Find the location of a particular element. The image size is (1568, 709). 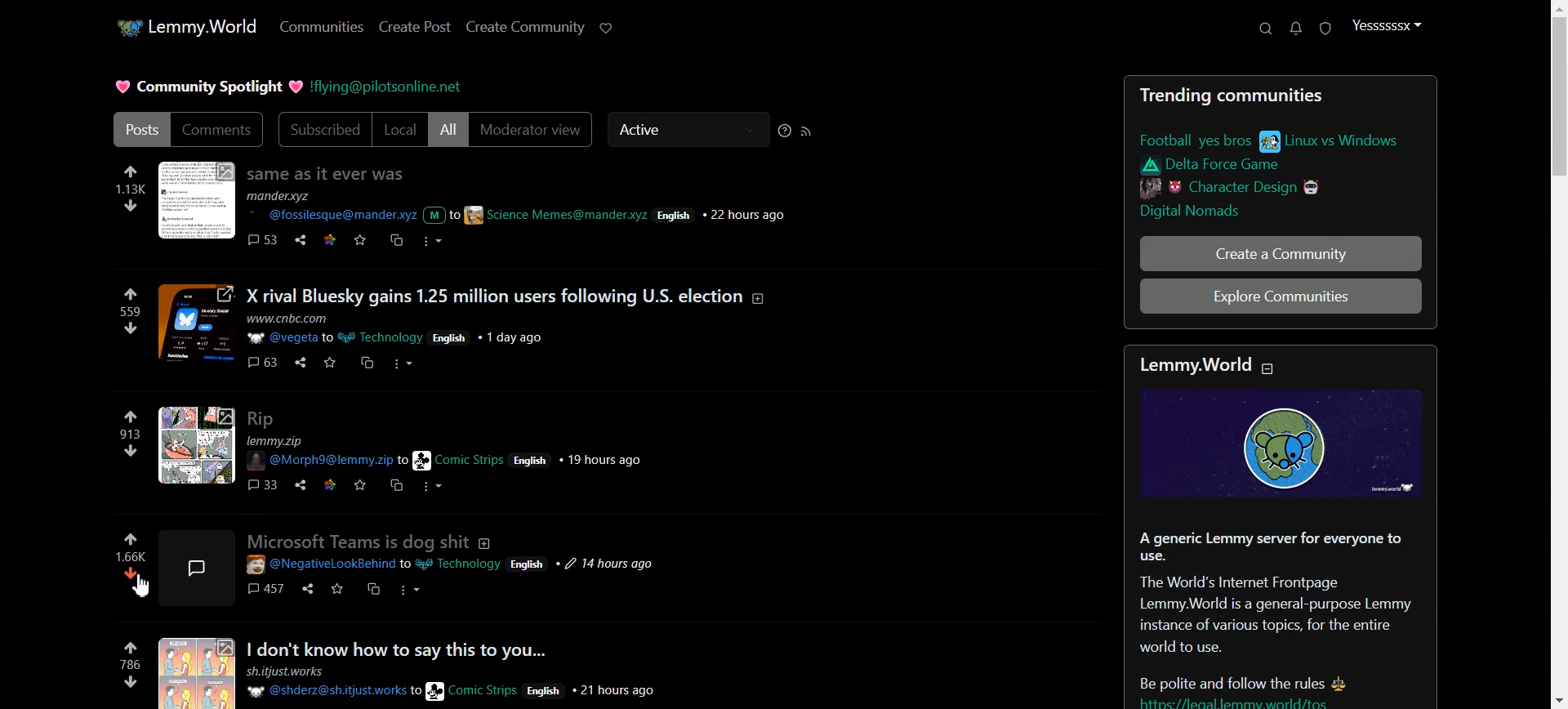

comments is located at coordinates (268, 589).